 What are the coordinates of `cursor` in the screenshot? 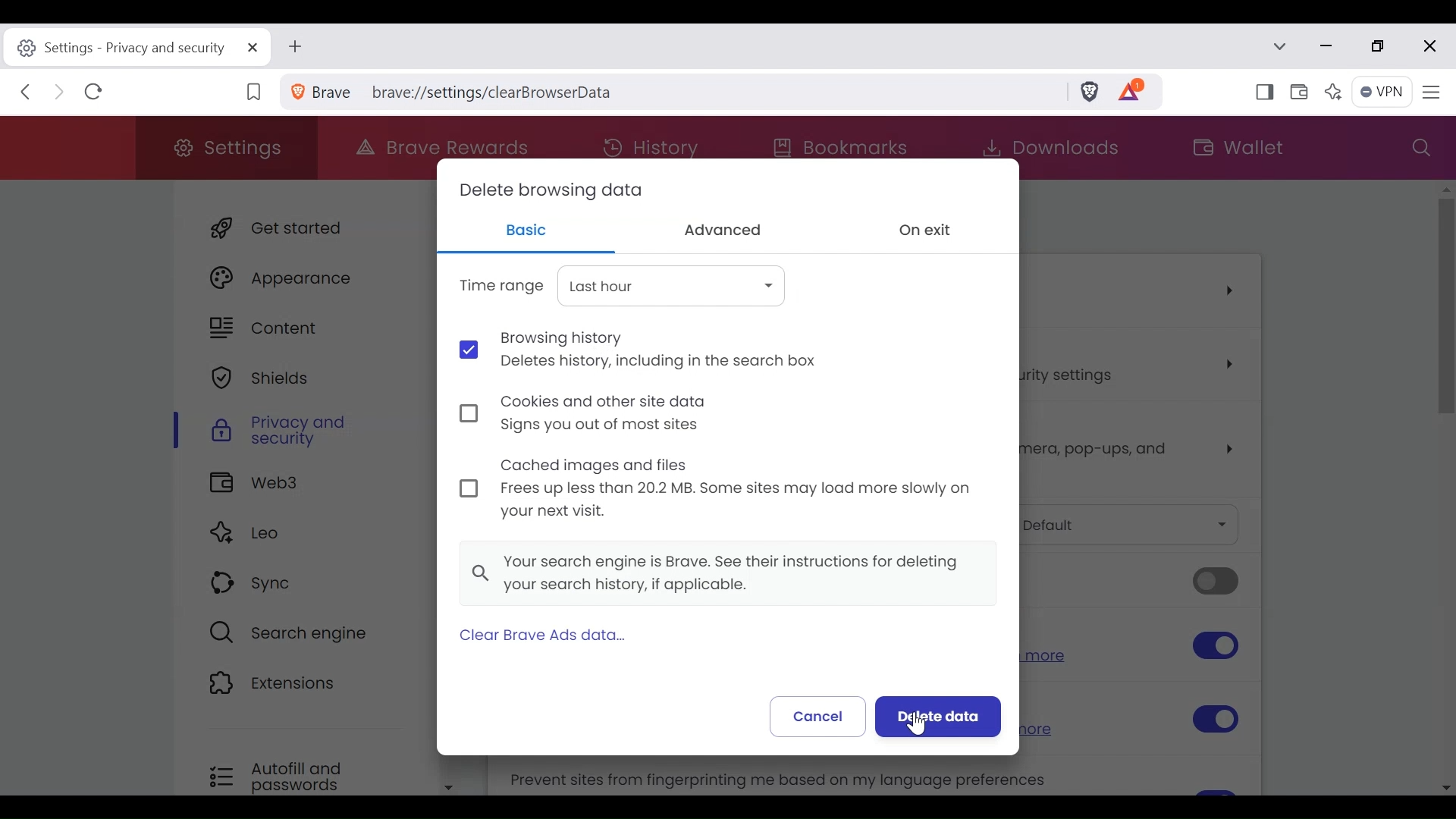 It's located at (922, 726).